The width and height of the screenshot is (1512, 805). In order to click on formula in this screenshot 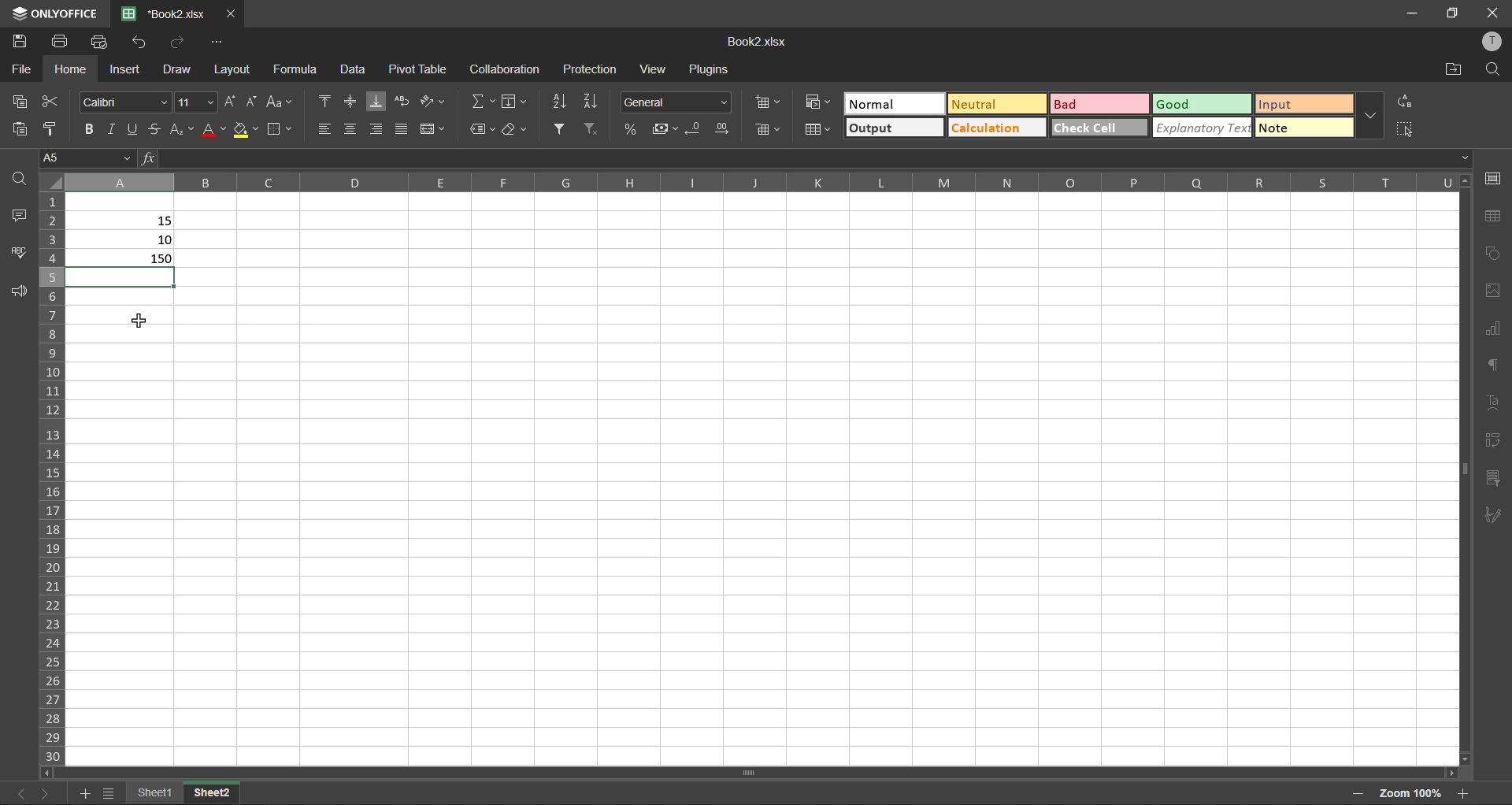, I will do `click(302, 69)`.